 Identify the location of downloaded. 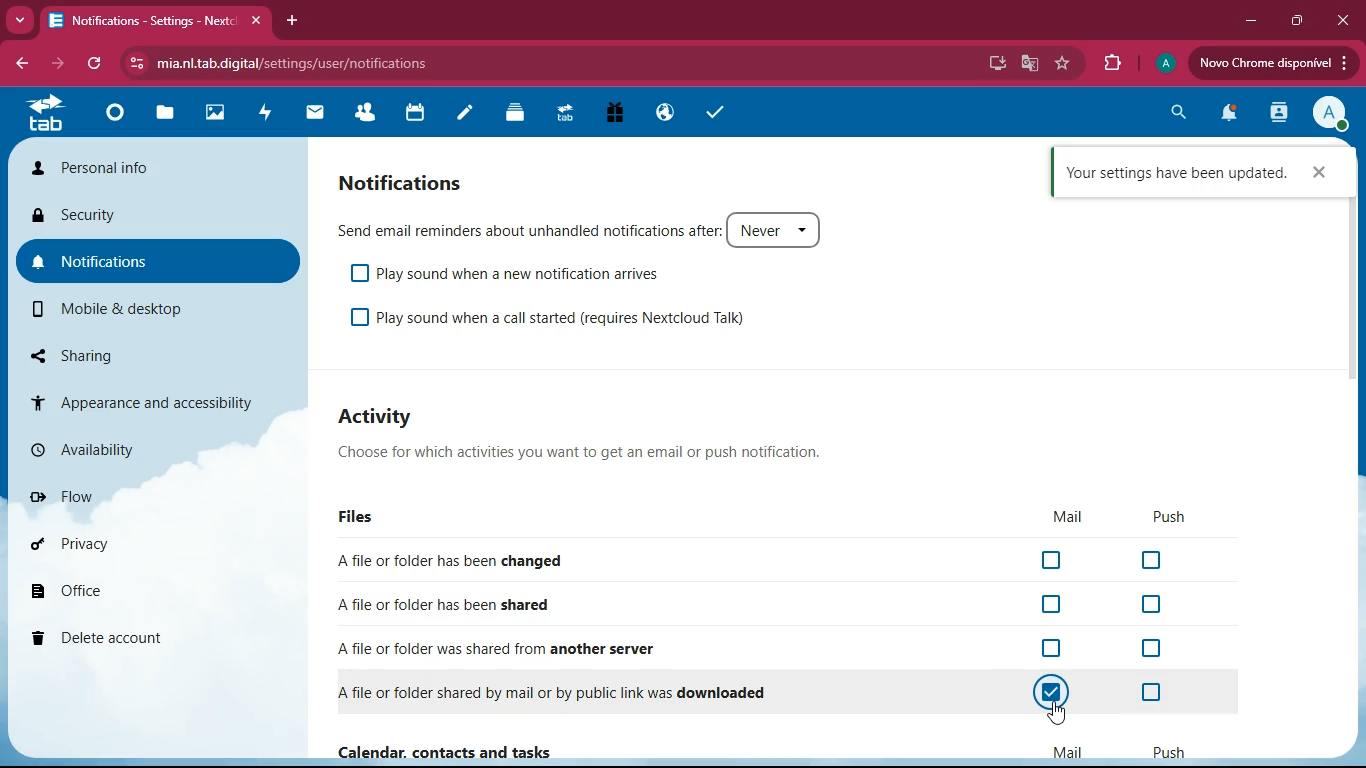
(571, 693).